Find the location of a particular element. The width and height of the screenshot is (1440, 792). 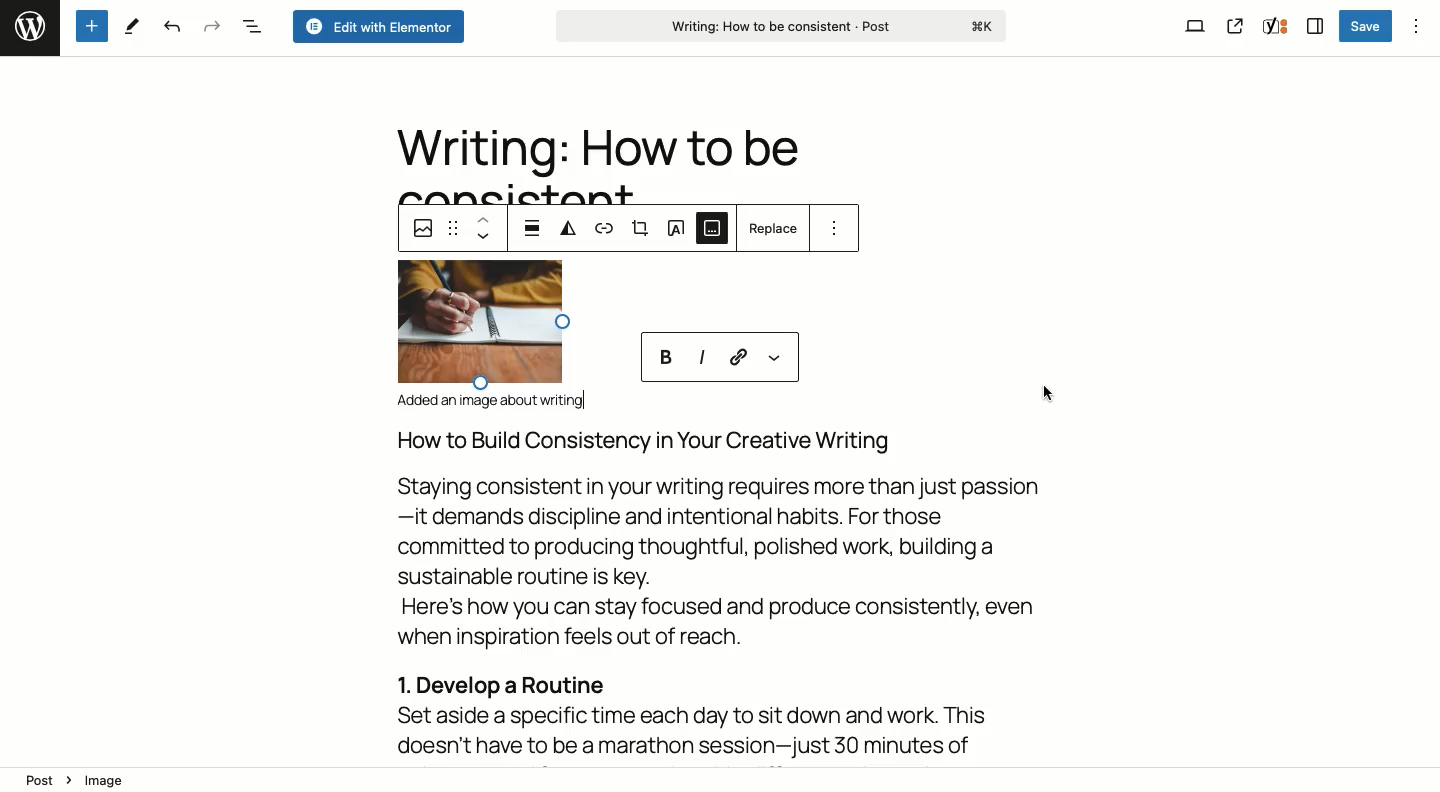

Image is located at coordinates (420, 231).